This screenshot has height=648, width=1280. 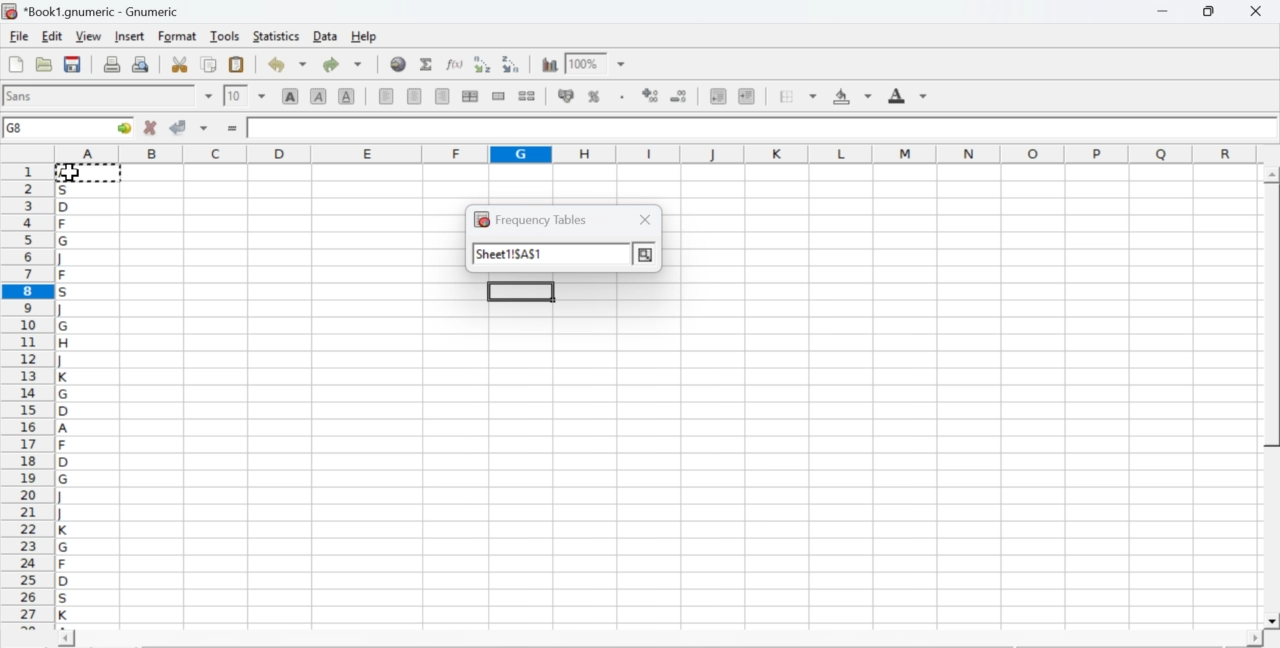 I want to click on Set the format of the selected cells to include a thousands separator, so click(x=620, y=97).